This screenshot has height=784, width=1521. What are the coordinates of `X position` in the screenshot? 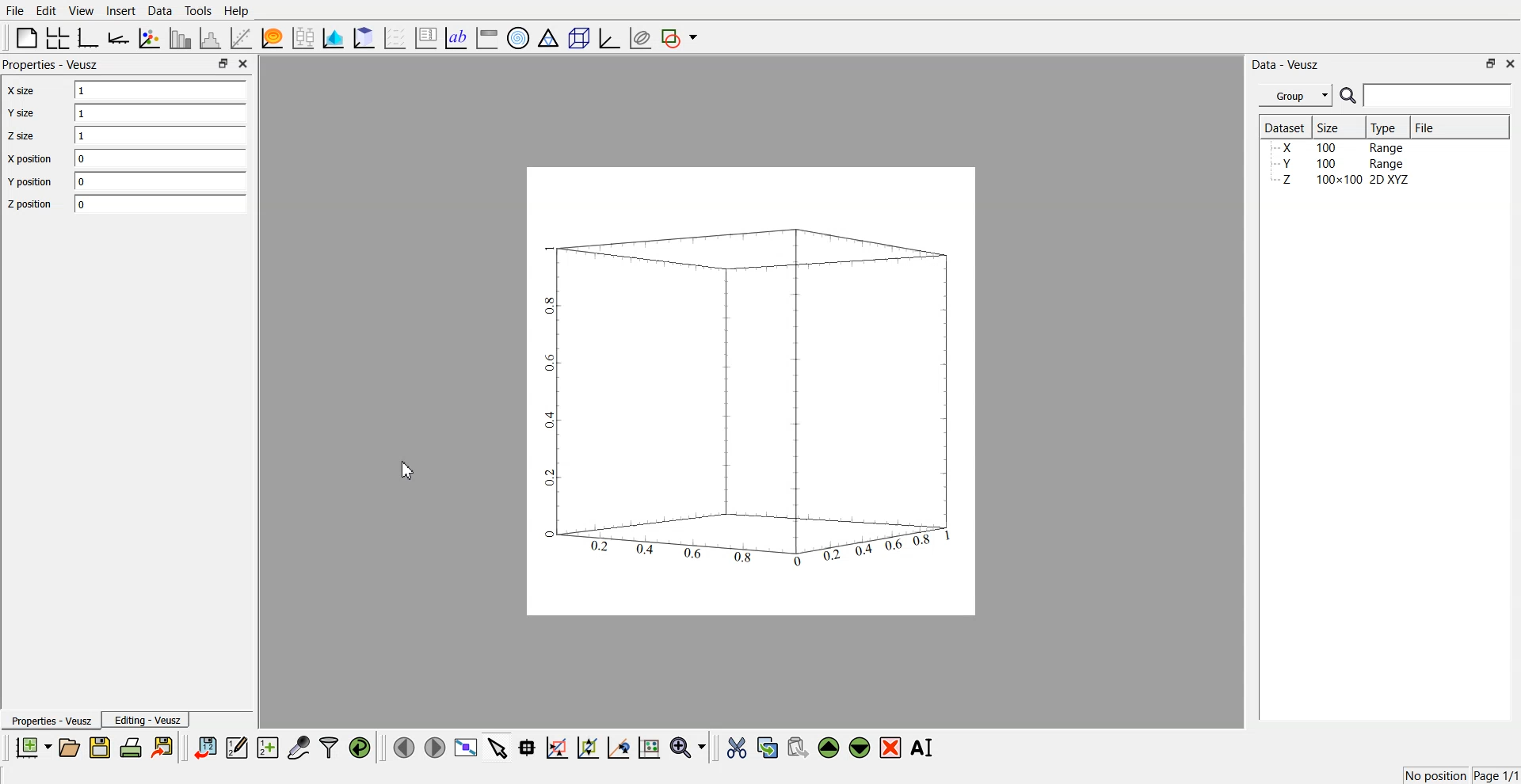 It's located at (29, 159).